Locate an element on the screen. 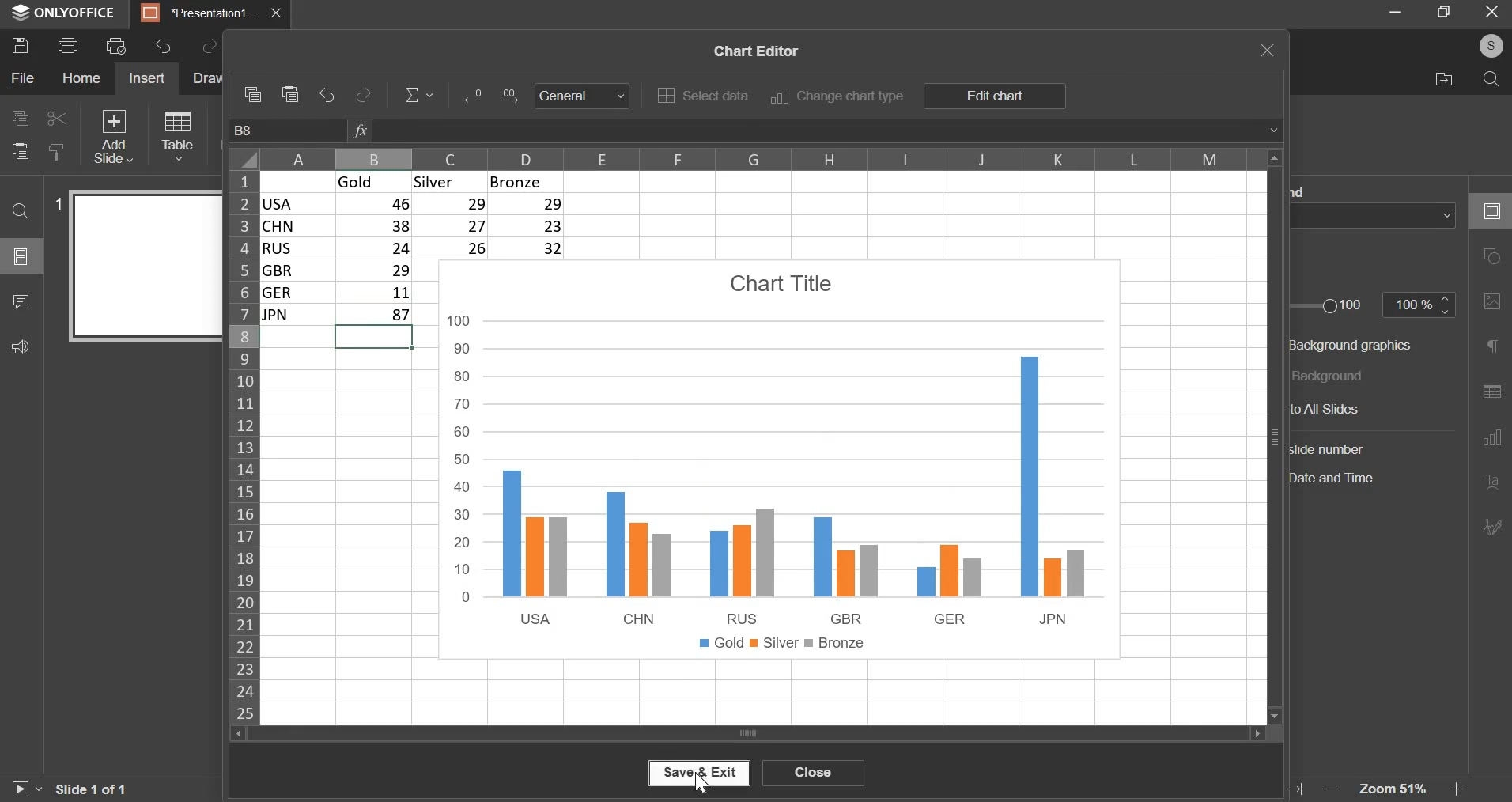 This screenshot has width=1512, height=802. horizontal slider is located at coordinates (747, 733).